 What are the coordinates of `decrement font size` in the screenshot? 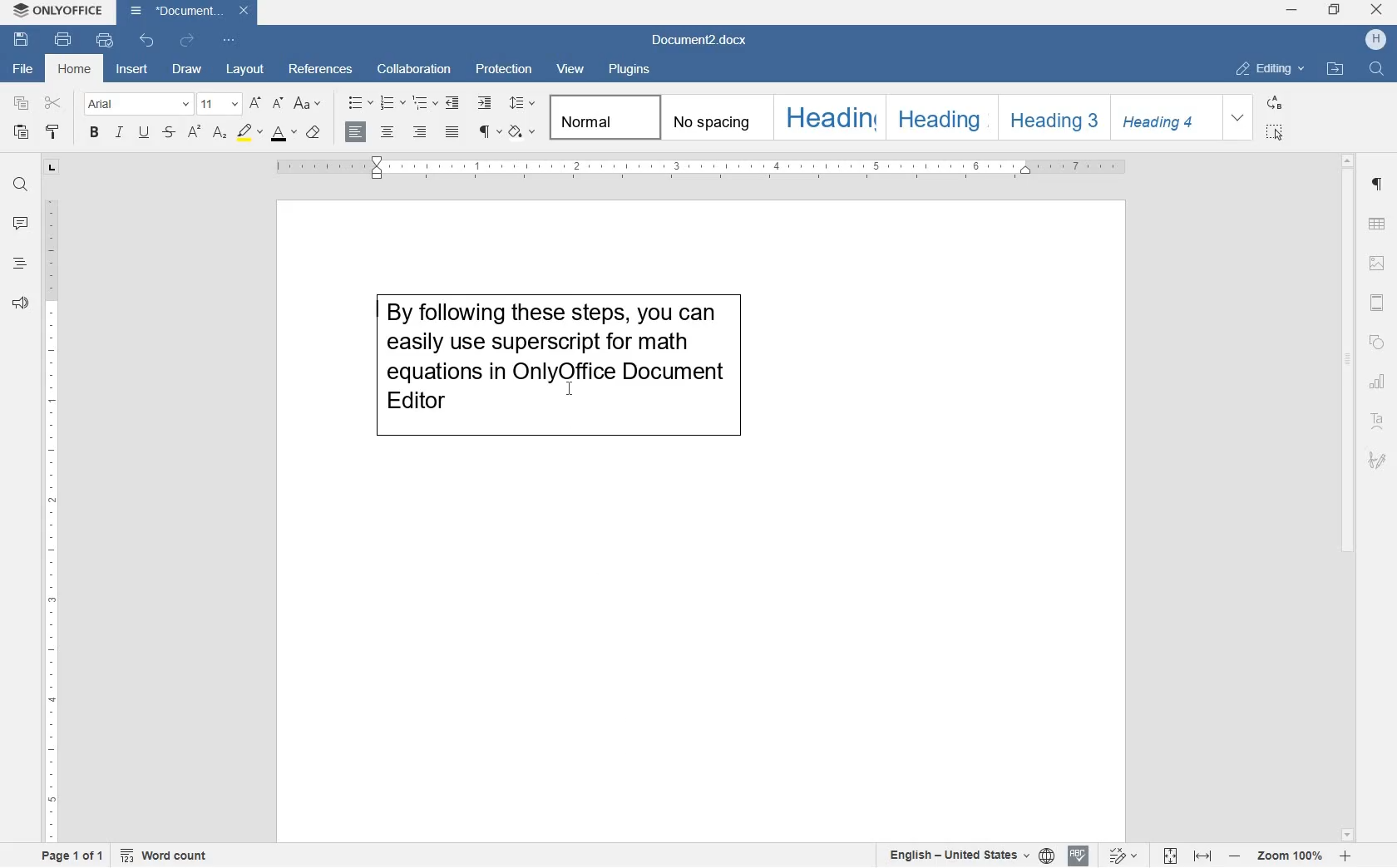 It's located at (275, 105).